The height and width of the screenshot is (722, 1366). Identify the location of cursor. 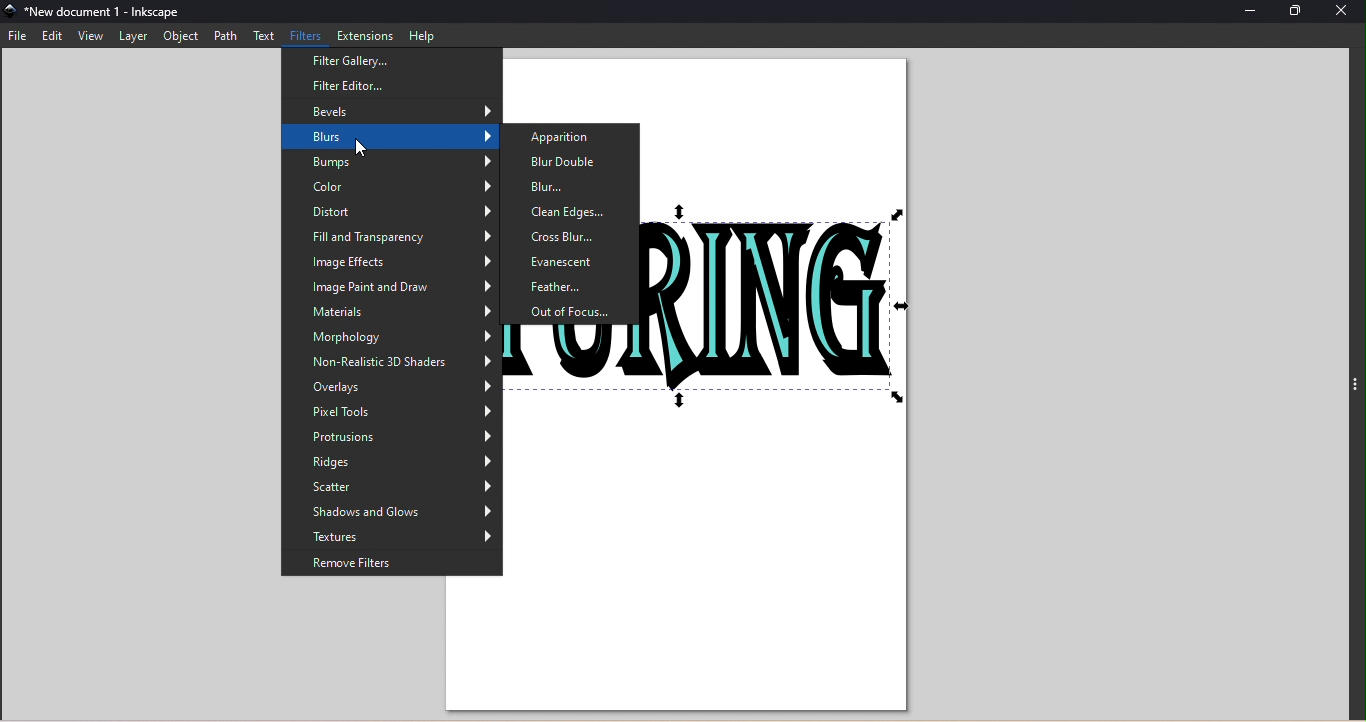
(348, 154).